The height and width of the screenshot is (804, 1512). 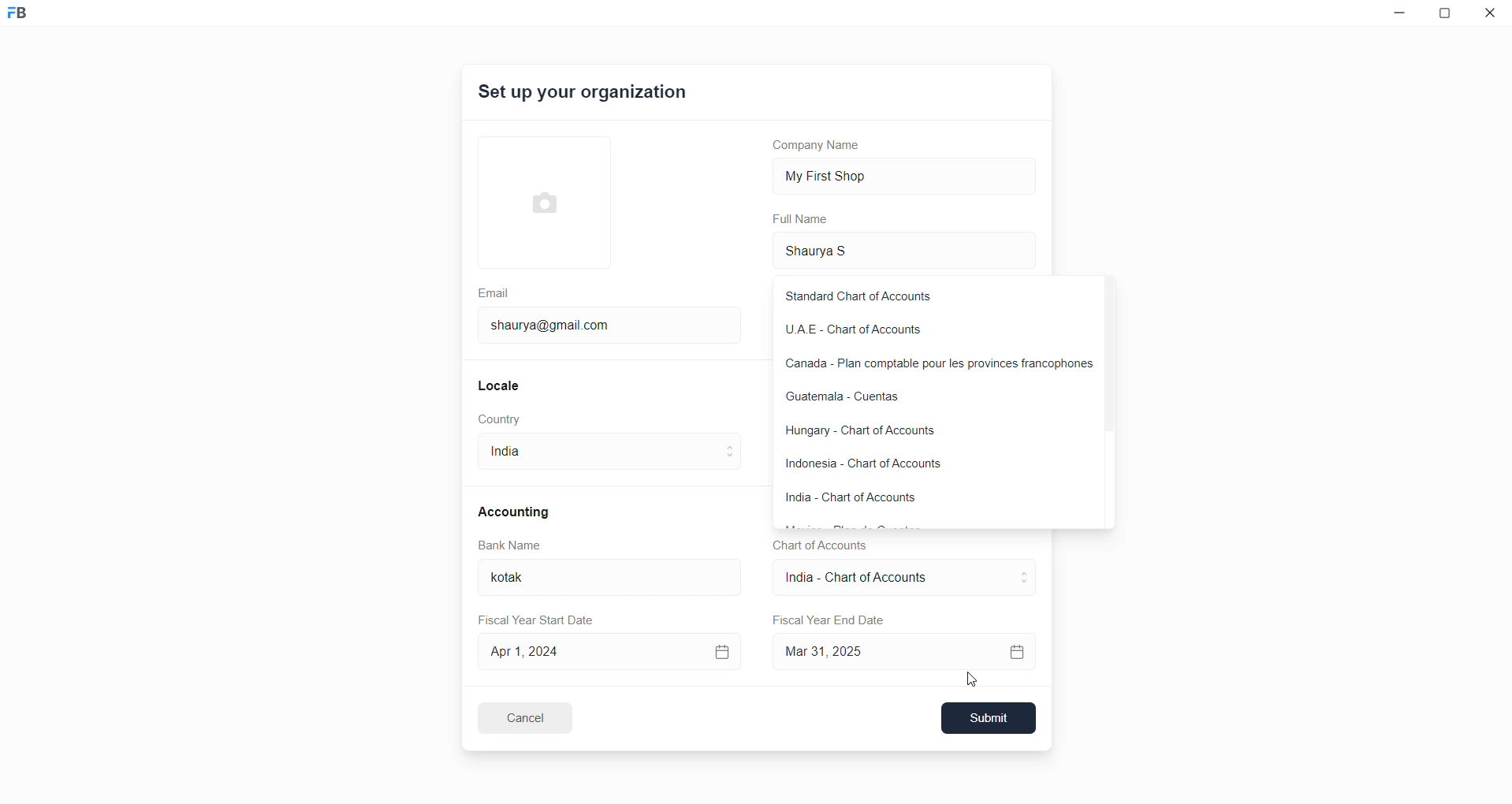 What do you see at coordinates (907, 651) in the screenshot?
I see `Mar 31, 2025` at bounding box center [907, 651].